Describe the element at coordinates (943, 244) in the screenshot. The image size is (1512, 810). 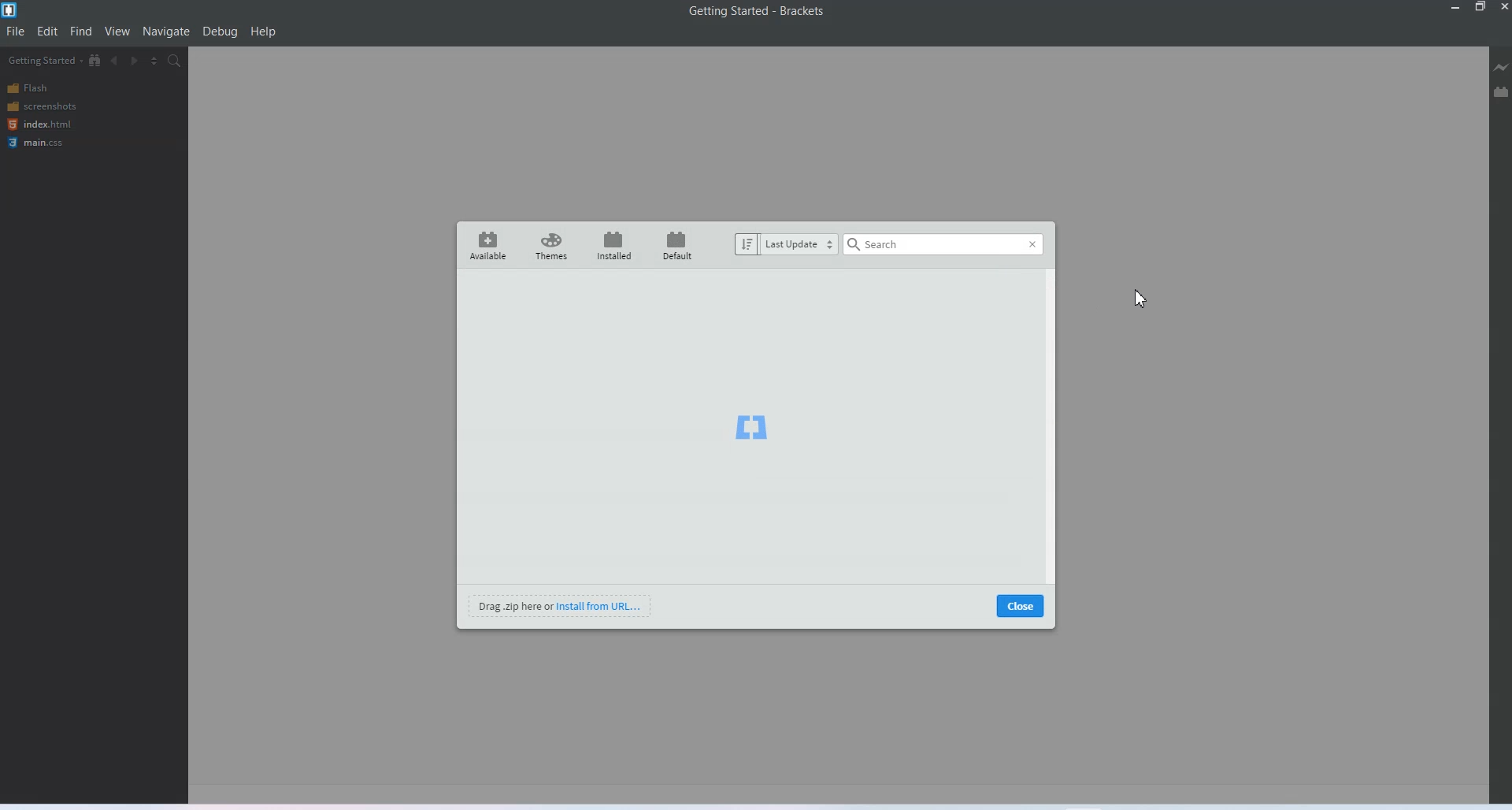
I see `Search Bar` at that location.